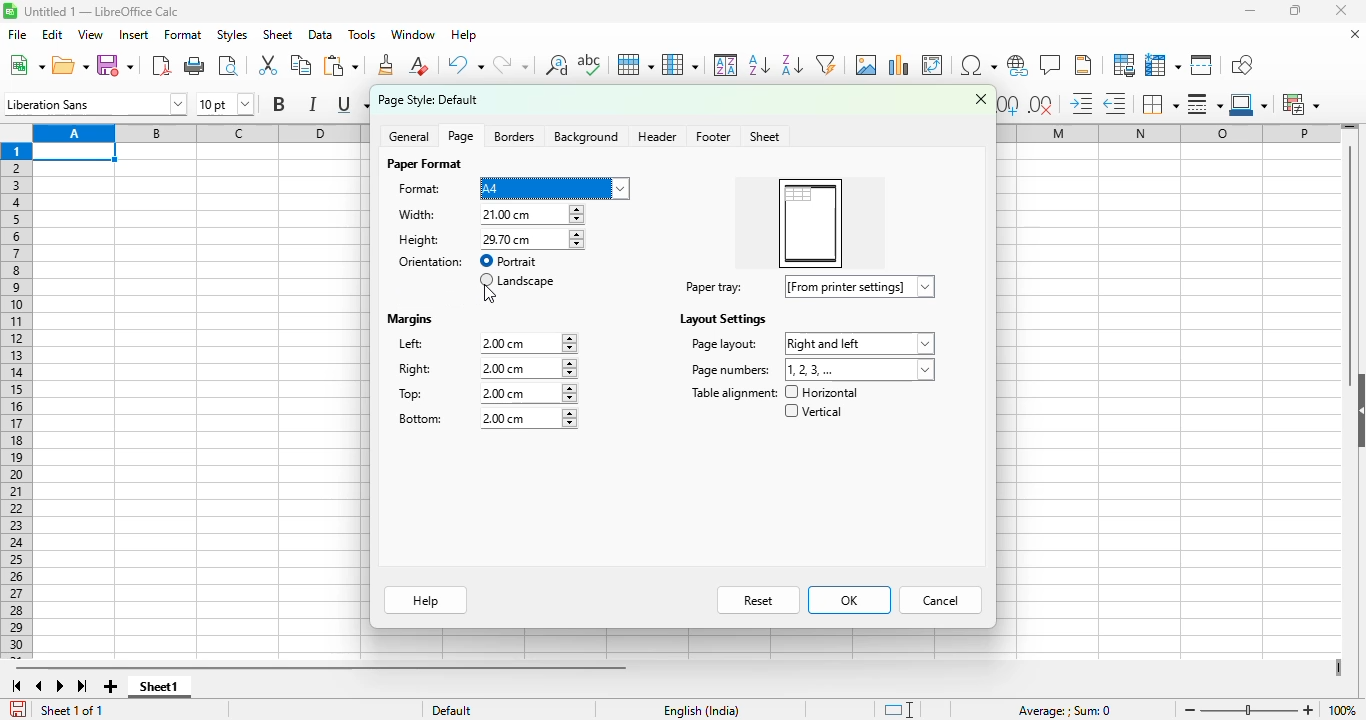  Describe the element at coordinates (417, 214) in the screenshot. I see `width: ` at that location.